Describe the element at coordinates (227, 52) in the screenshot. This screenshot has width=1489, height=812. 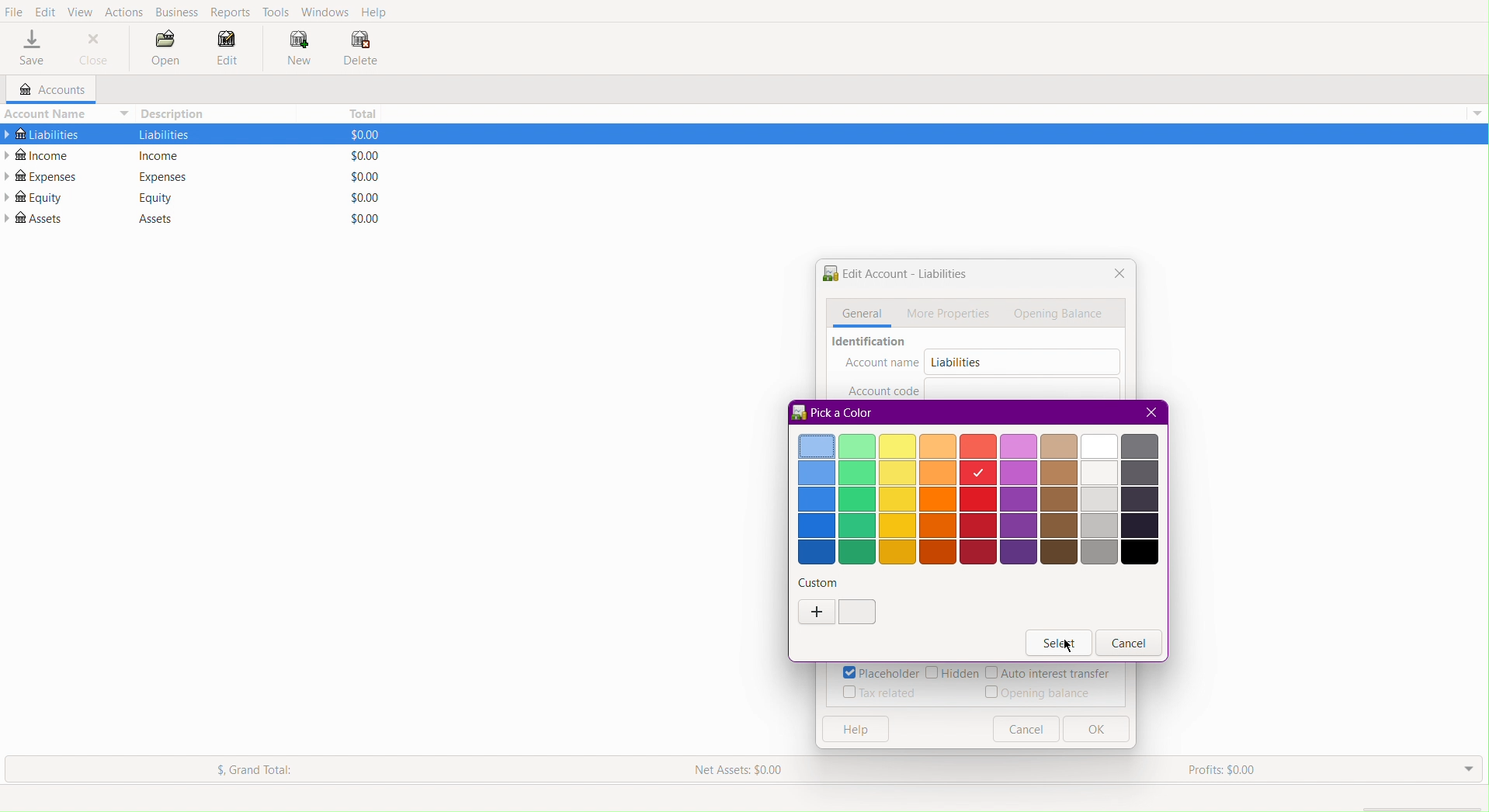
I see `Edit` at that location.